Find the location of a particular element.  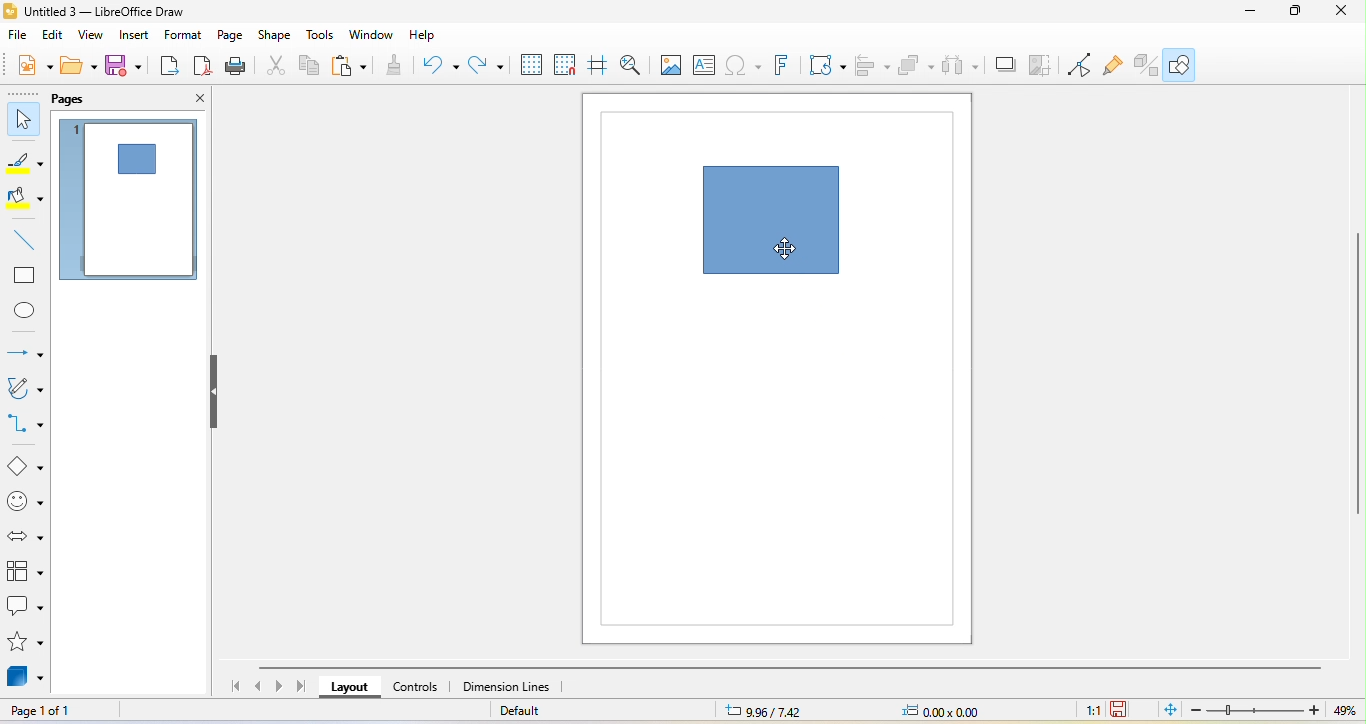

1:1 is located at coordinates (1085, 709).